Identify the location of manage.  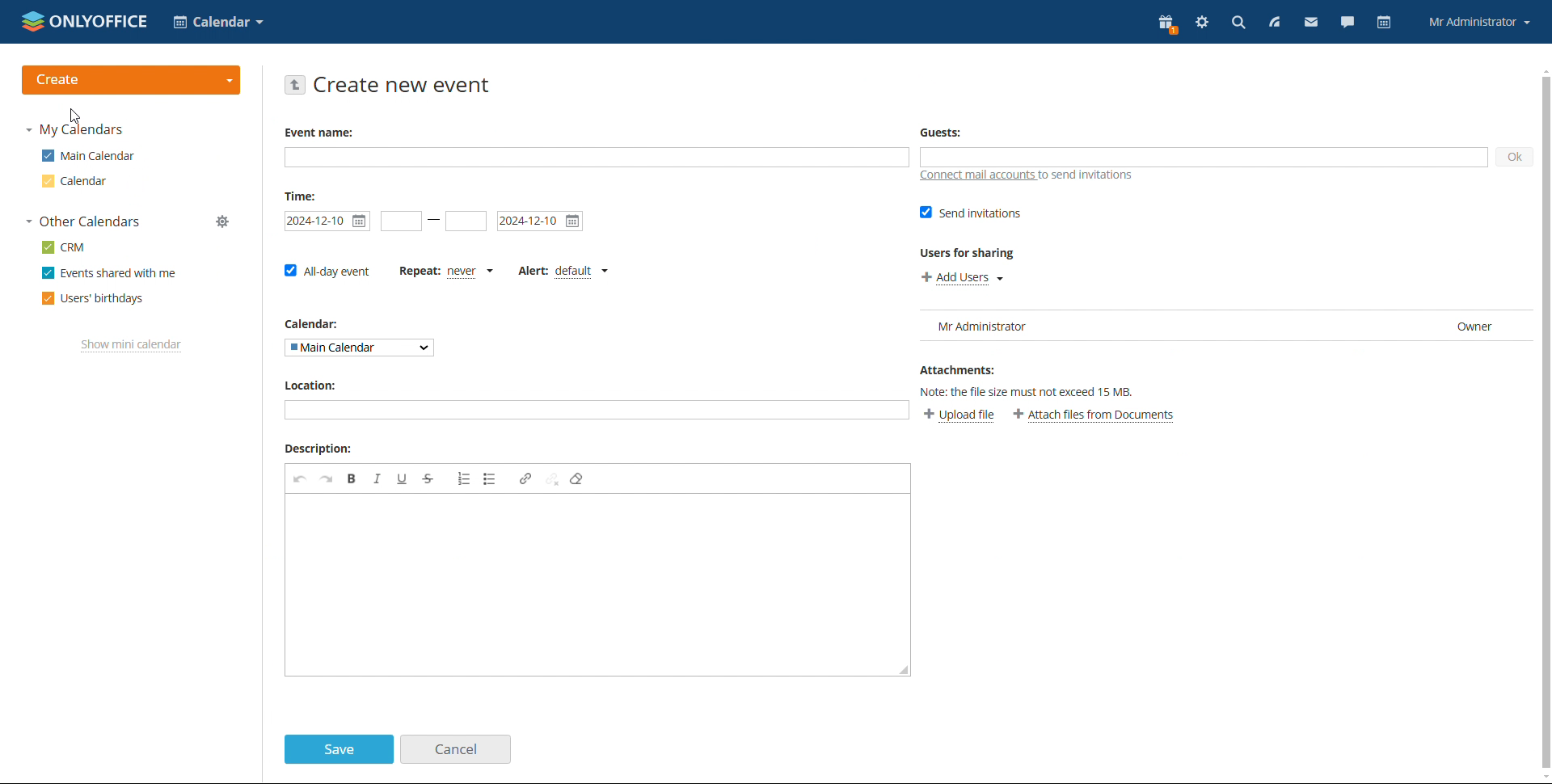
(223, 221).